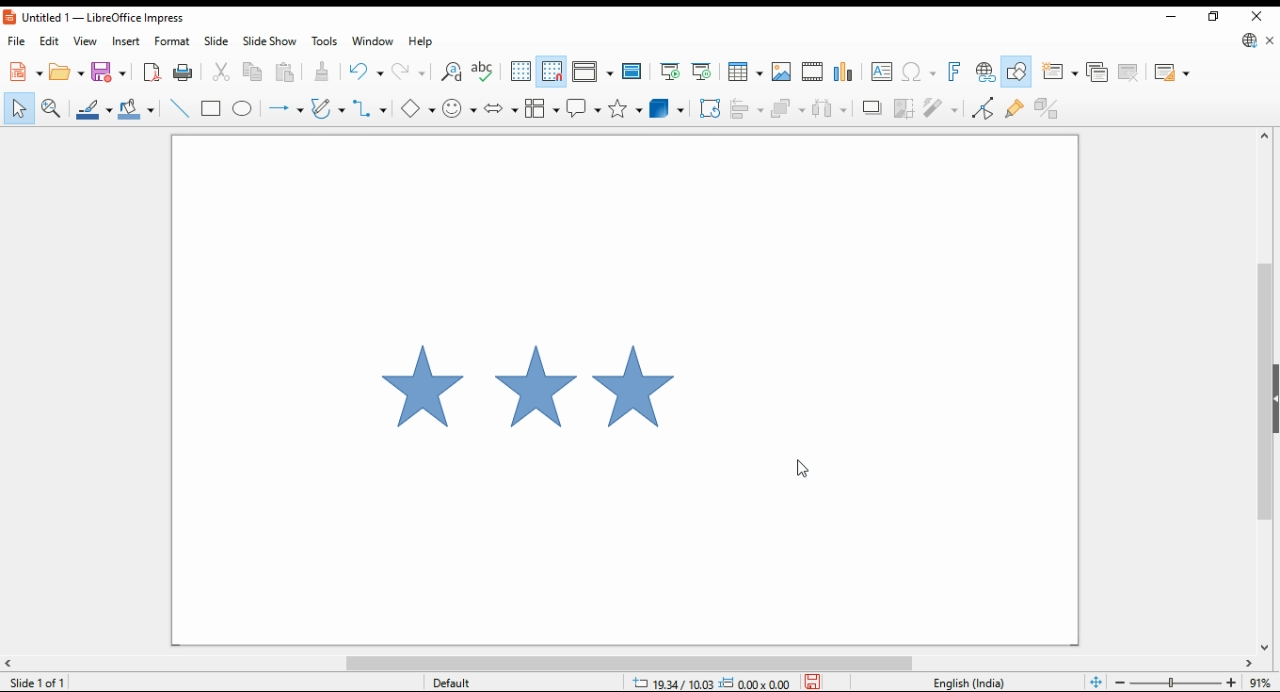 The width and height of the screenshot is (1280, 692). I want to click on export directly as pdf, so click(151, 72).